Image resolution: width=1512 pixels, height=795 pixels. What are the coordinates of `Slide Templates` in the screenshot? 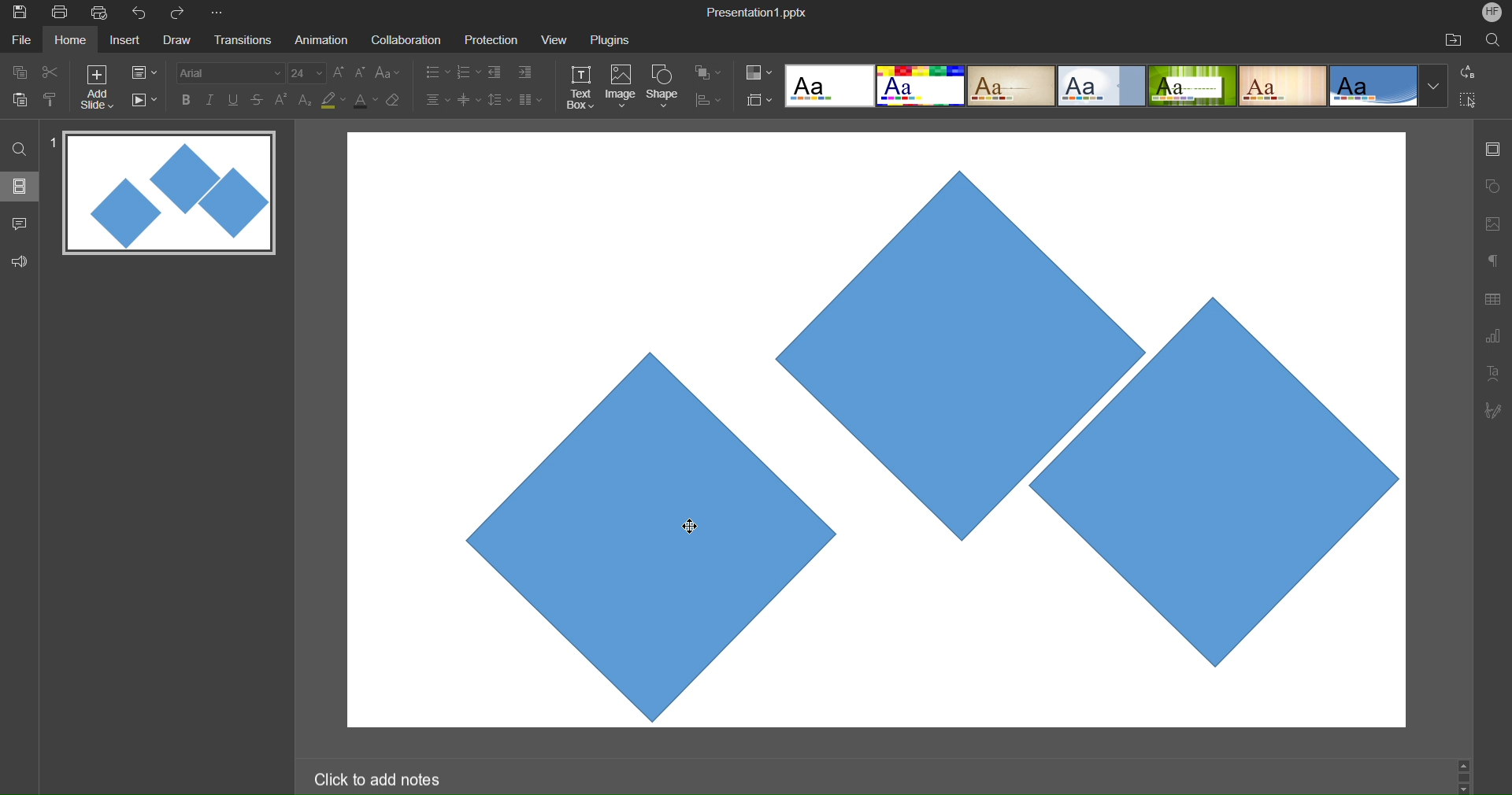 It's located at (1117, 84).